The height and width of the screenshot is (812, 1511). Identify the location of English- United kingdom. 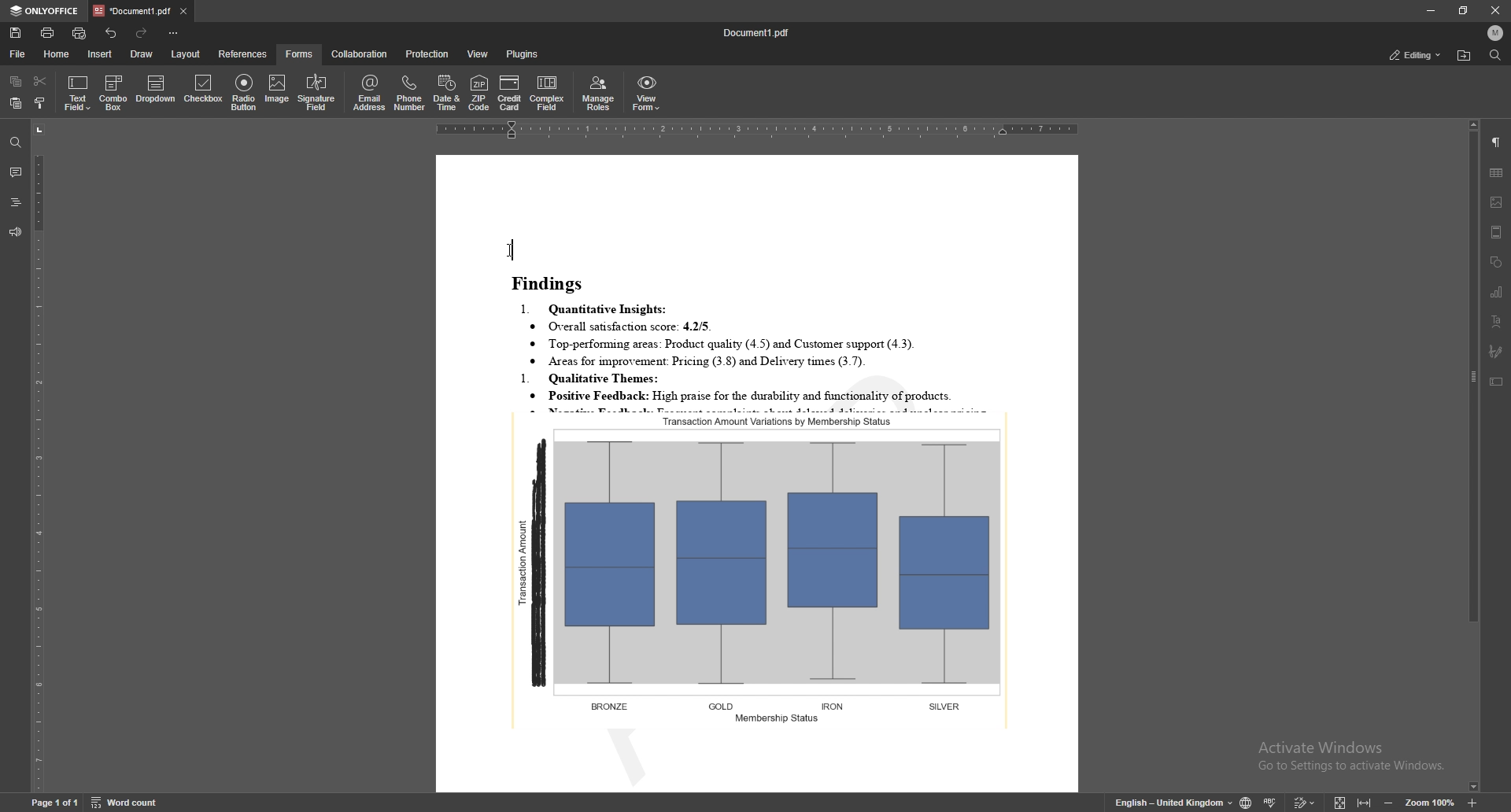
(1170, 803).